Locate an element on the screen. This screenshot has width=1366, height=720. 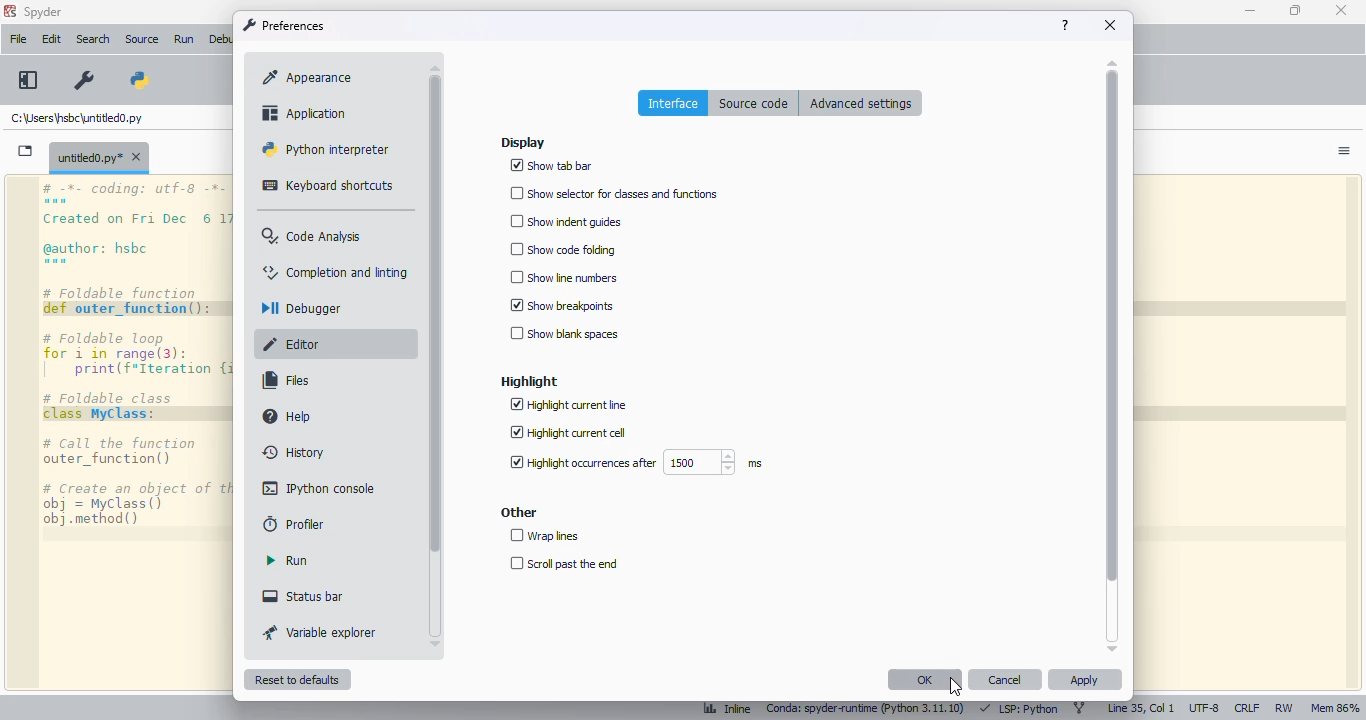
file is located at coordinates (19, 38).